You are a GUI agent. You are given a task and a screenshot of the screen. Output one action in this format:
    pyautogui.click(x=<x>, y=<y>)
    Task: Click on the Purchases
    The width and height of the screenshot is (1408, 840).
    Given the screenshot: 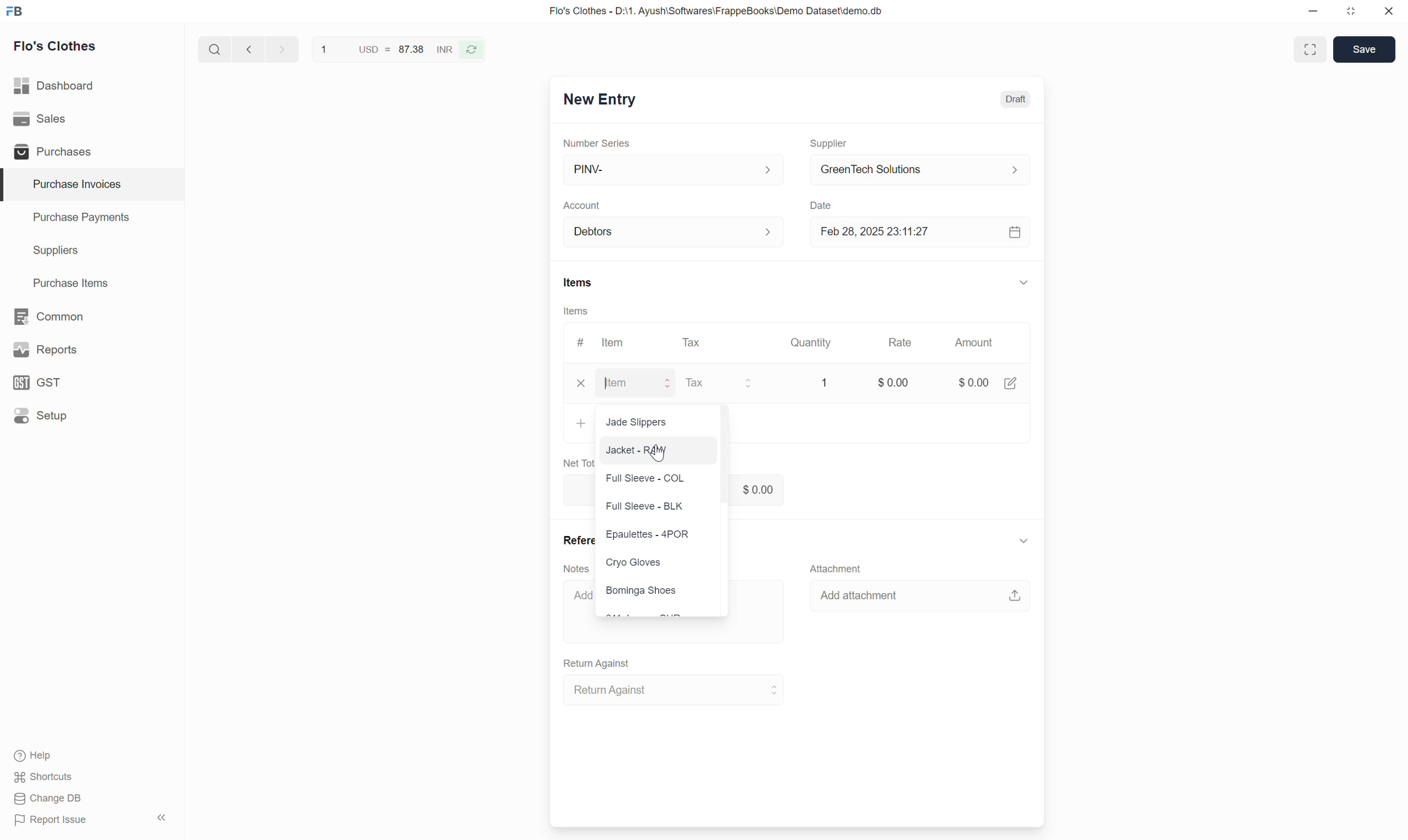 What is the action you would take?
    pyautogui.click(x=91, y=151)
    